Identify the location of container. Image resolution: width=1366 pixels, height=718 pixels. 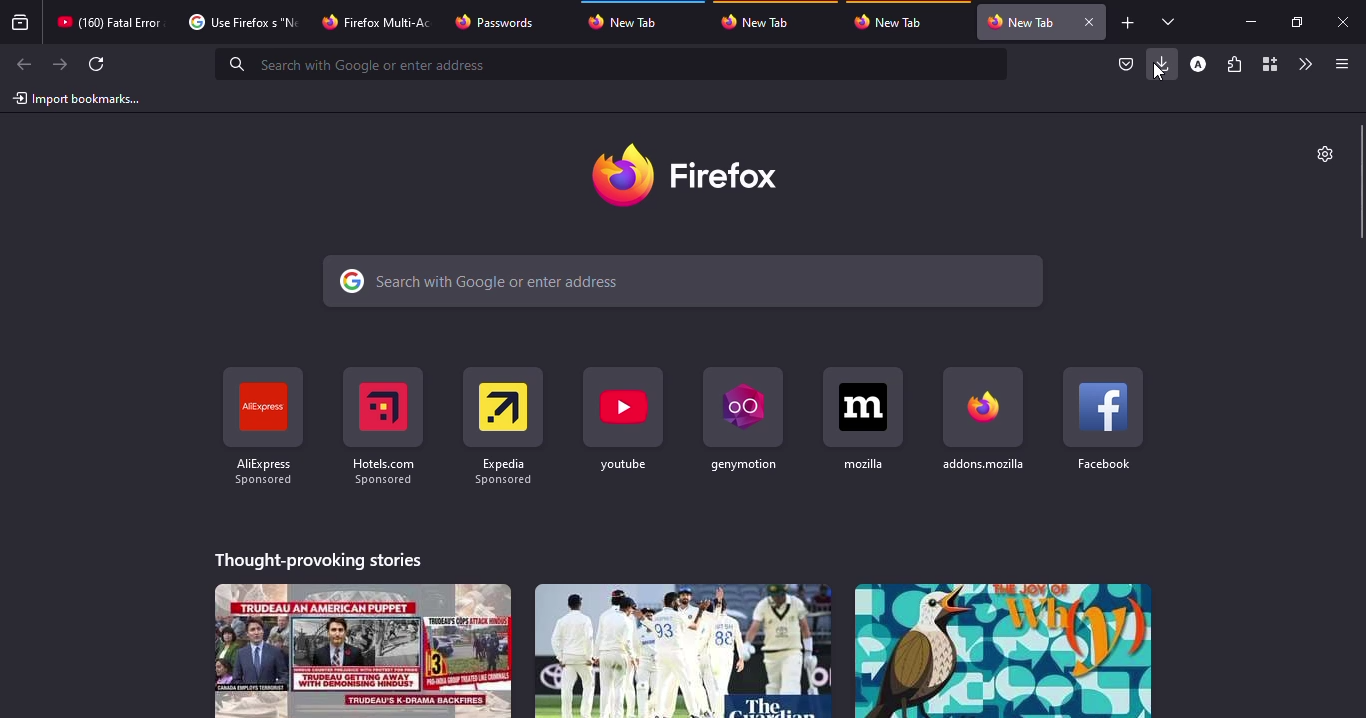
(1268, 65).